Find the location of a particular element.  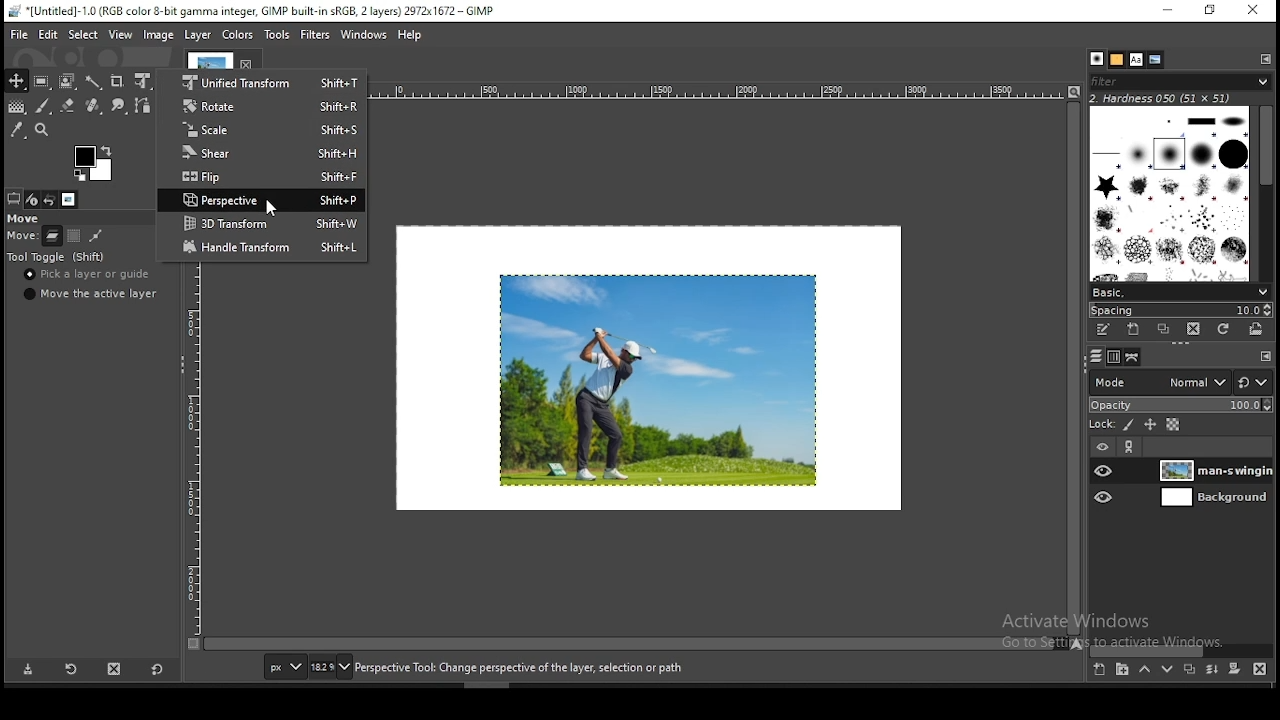

move is located at coordinates (20, 236).